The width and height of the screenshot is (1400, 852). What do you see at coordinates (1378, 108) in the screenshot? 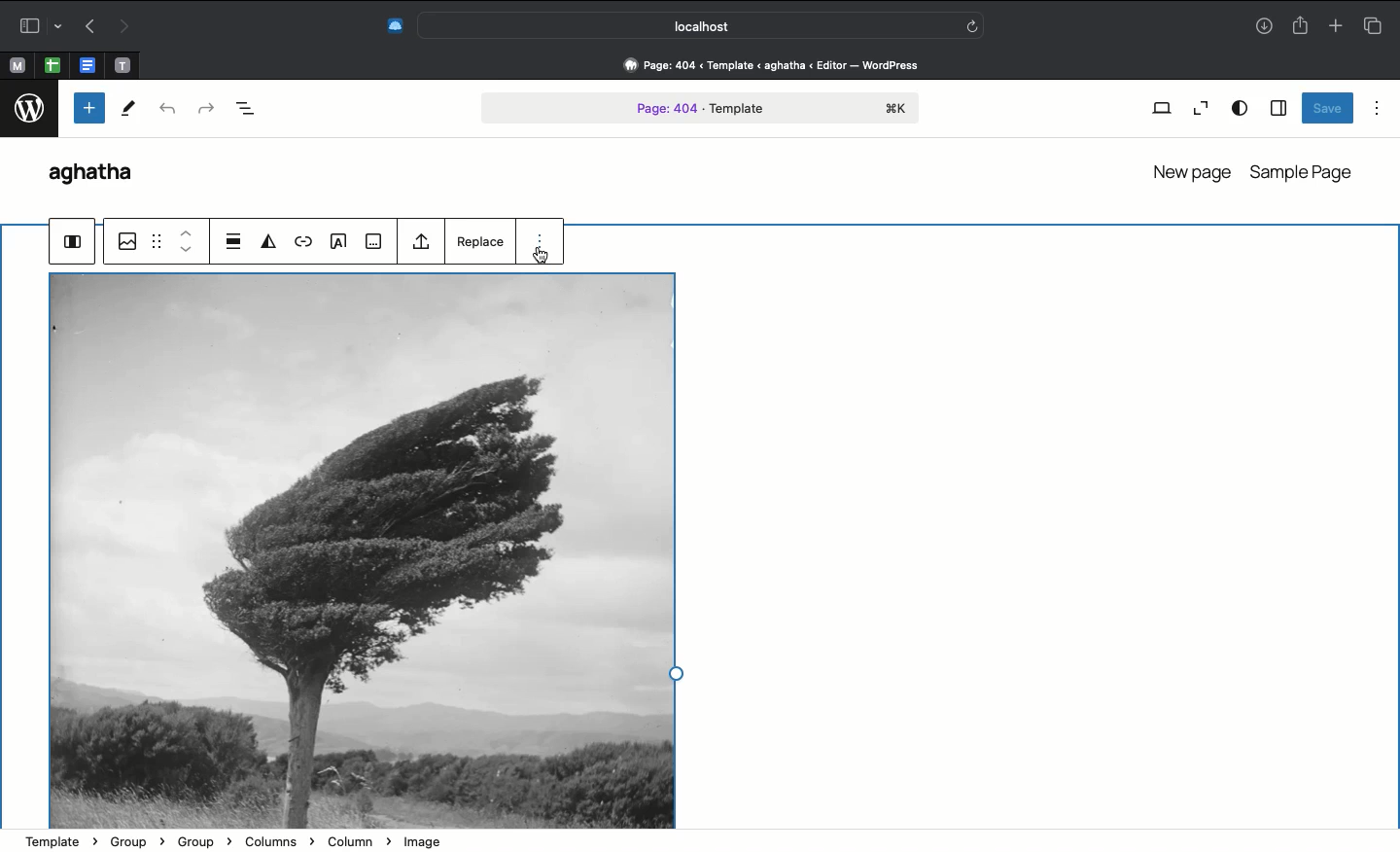
I see `Options` at bounding box center [1378, 108].